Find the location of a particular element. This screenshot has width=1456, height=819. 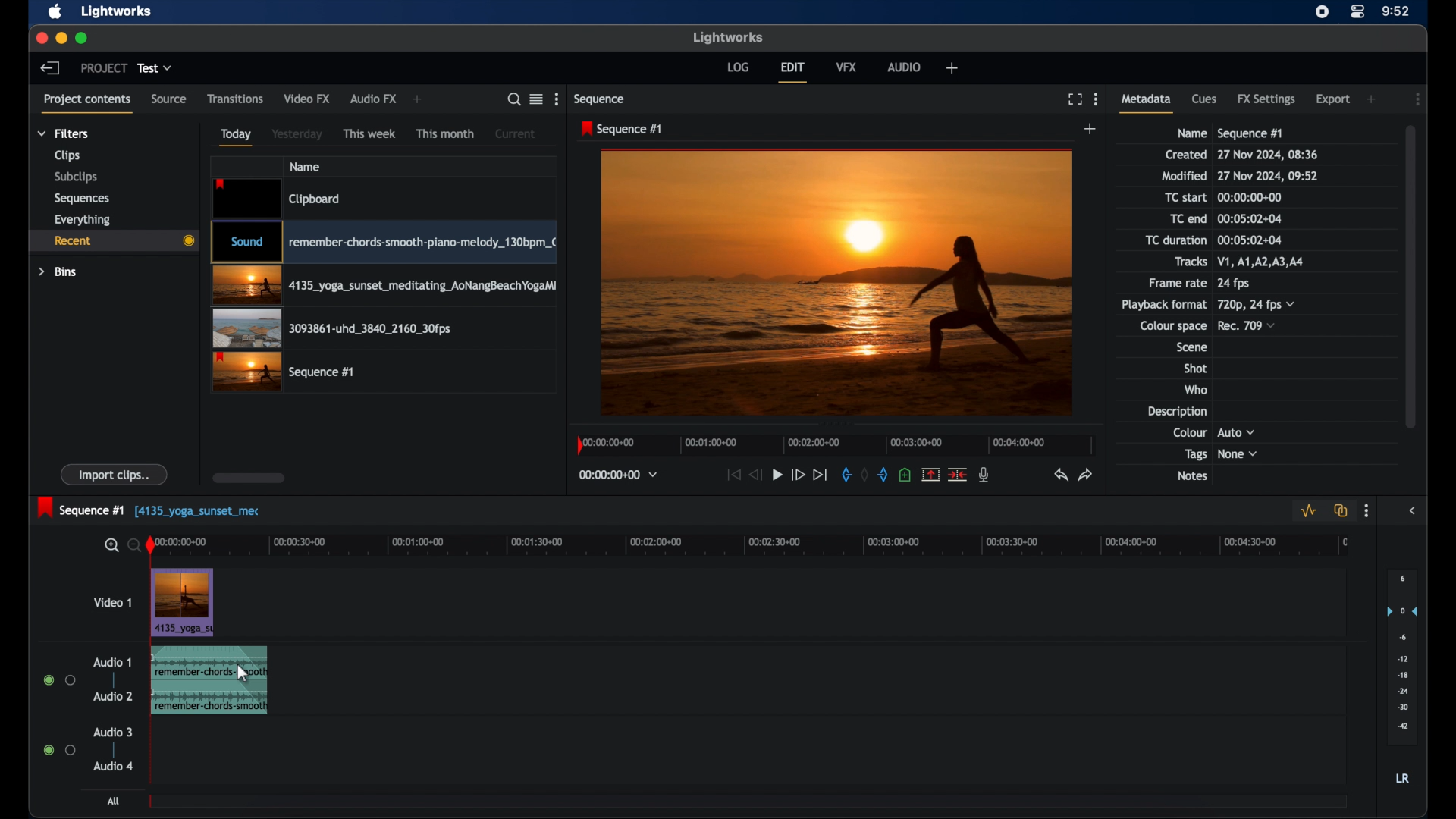

none is located at coordinates (1238, 454).